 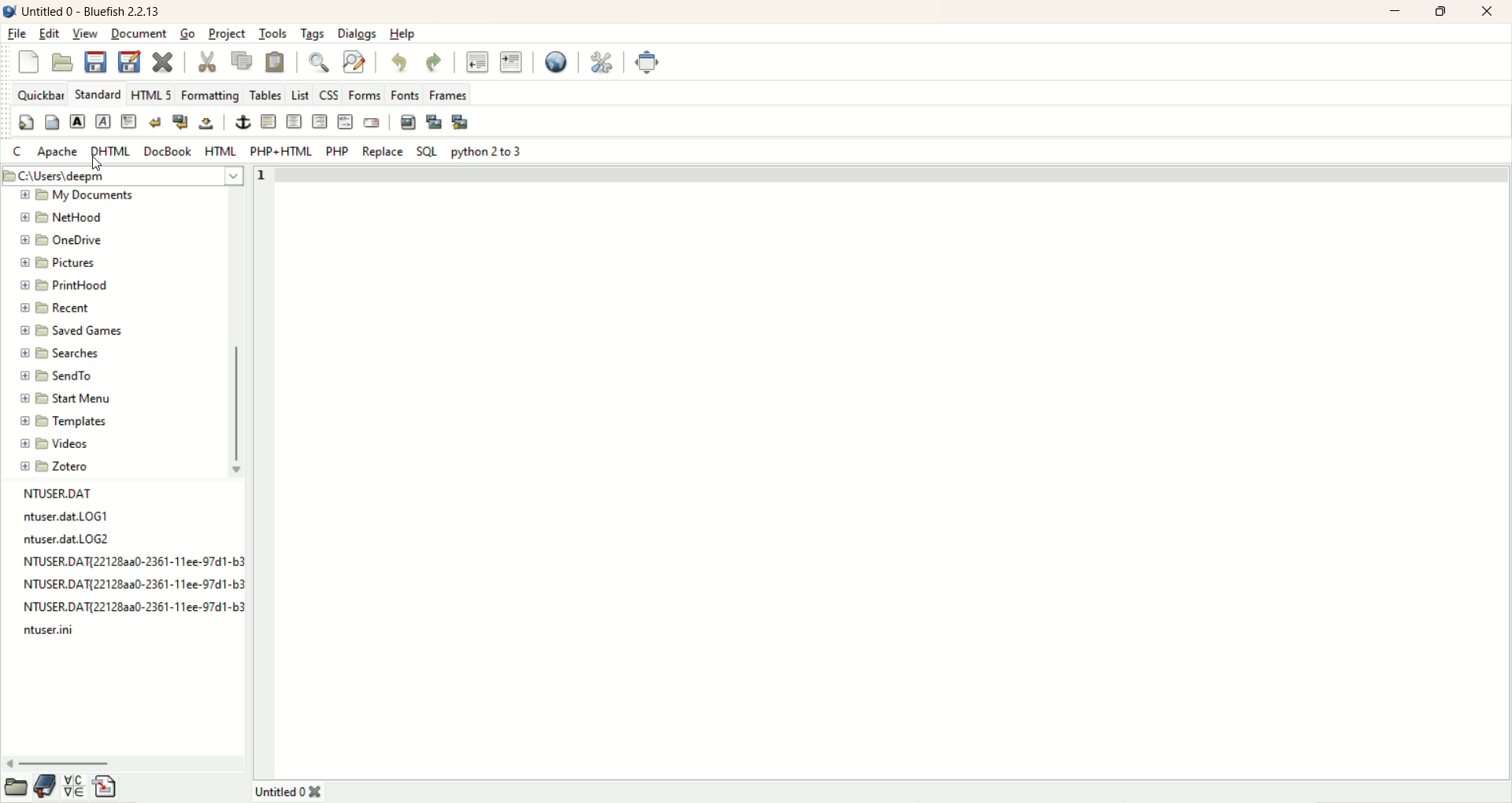 What do you see at coordinates (406, 94) in the screenshot?
I see `fonts` at bounding box center [406, 94].